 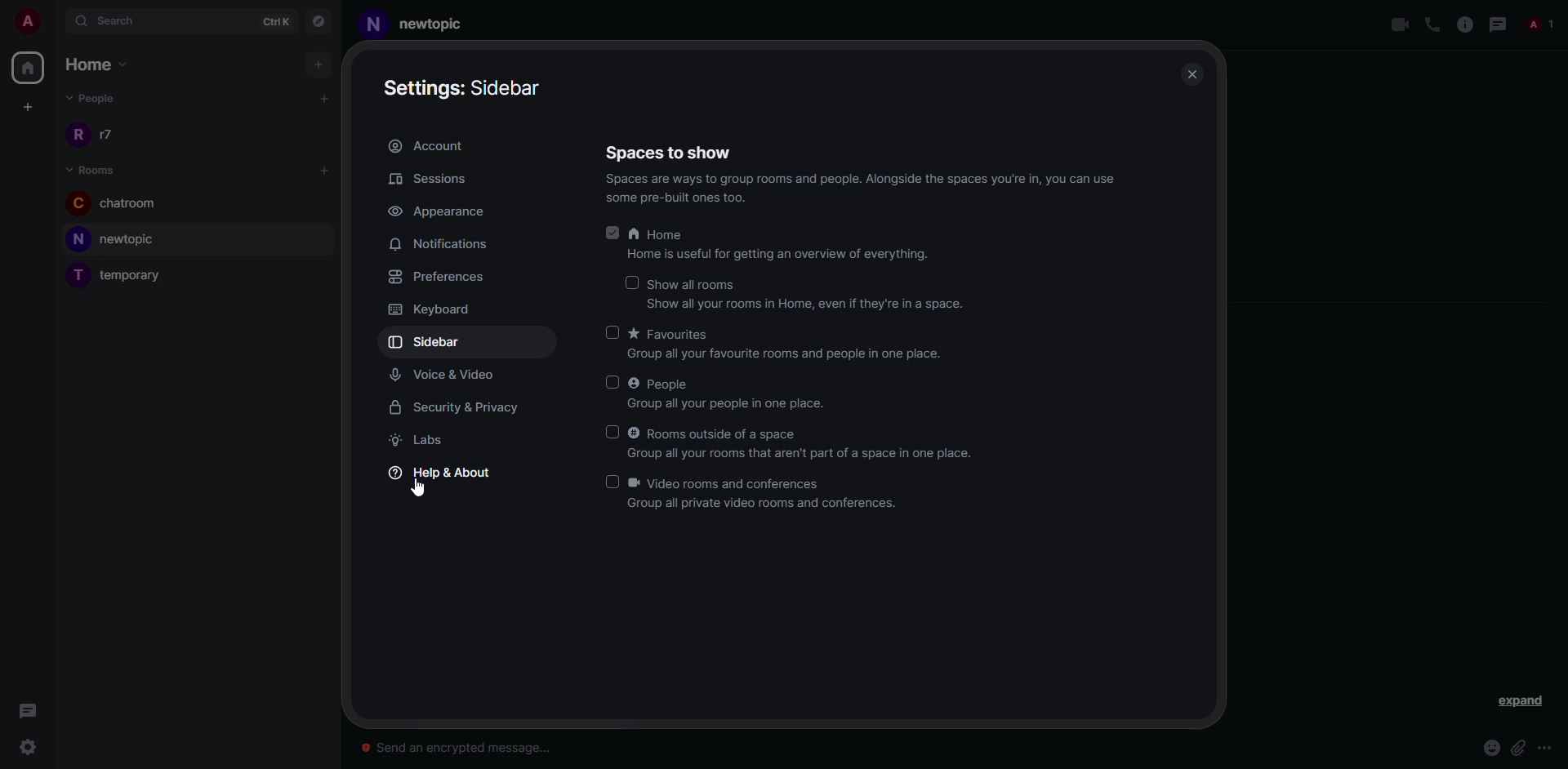 What do you see at coordinates (1517, 701) in the screenshot?
I see `expand` at bounding box center [1517, 701].